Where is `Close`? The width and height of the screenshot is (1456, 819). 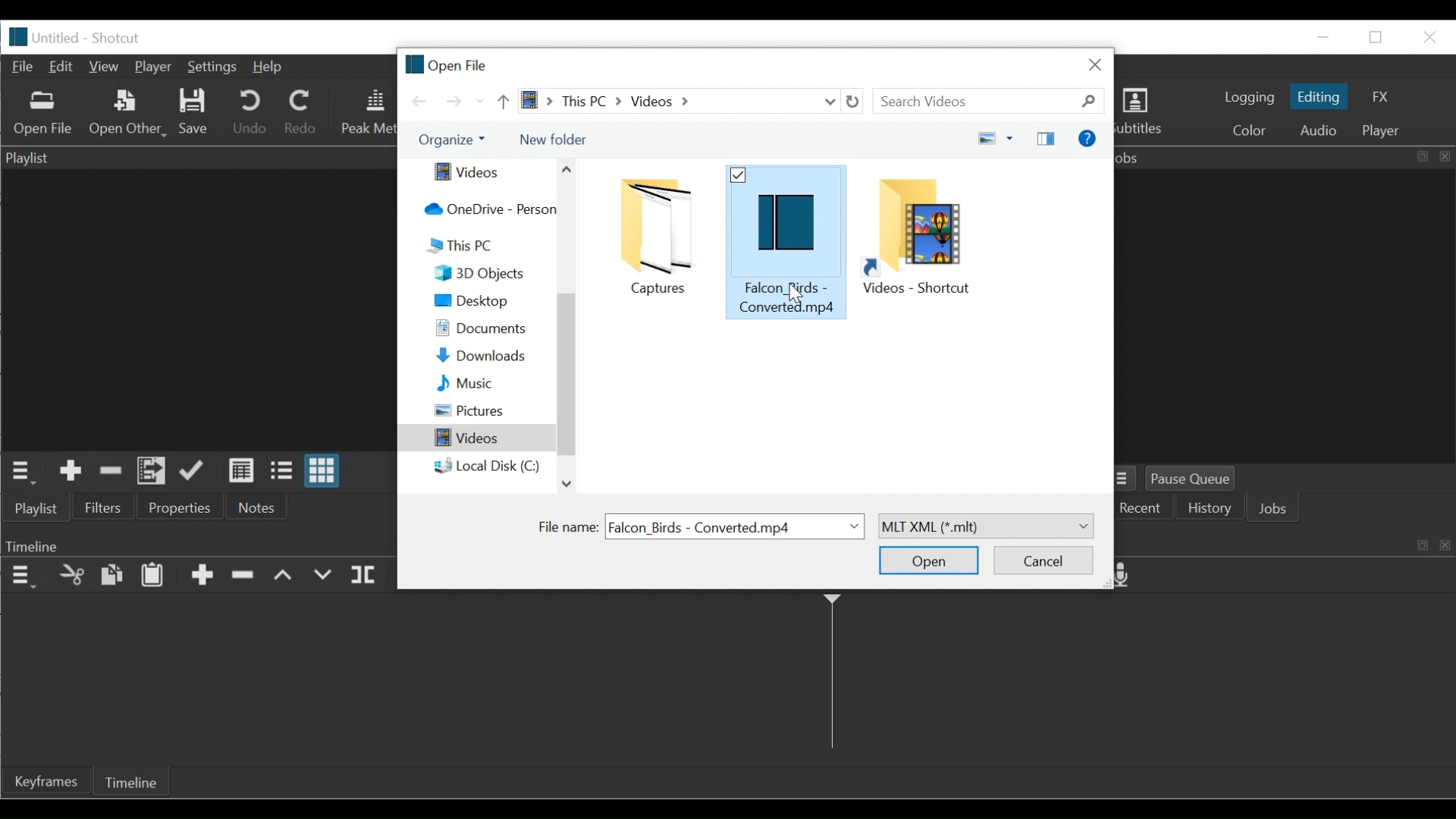 Close is located at coordinates (1426, 36).